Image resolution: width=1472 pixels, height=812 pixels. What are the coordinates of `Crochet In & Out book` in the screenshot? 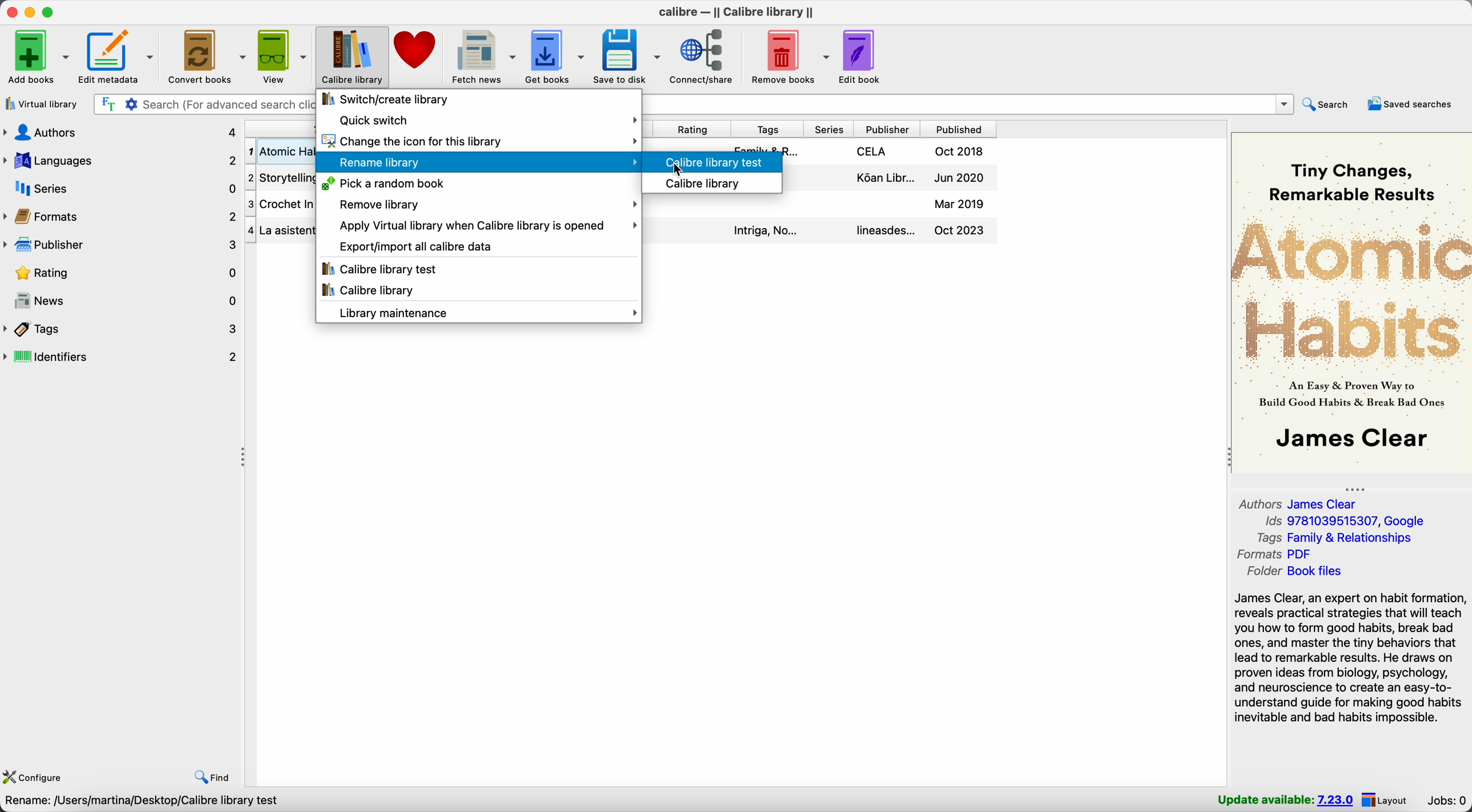 It's located at (281, 205).